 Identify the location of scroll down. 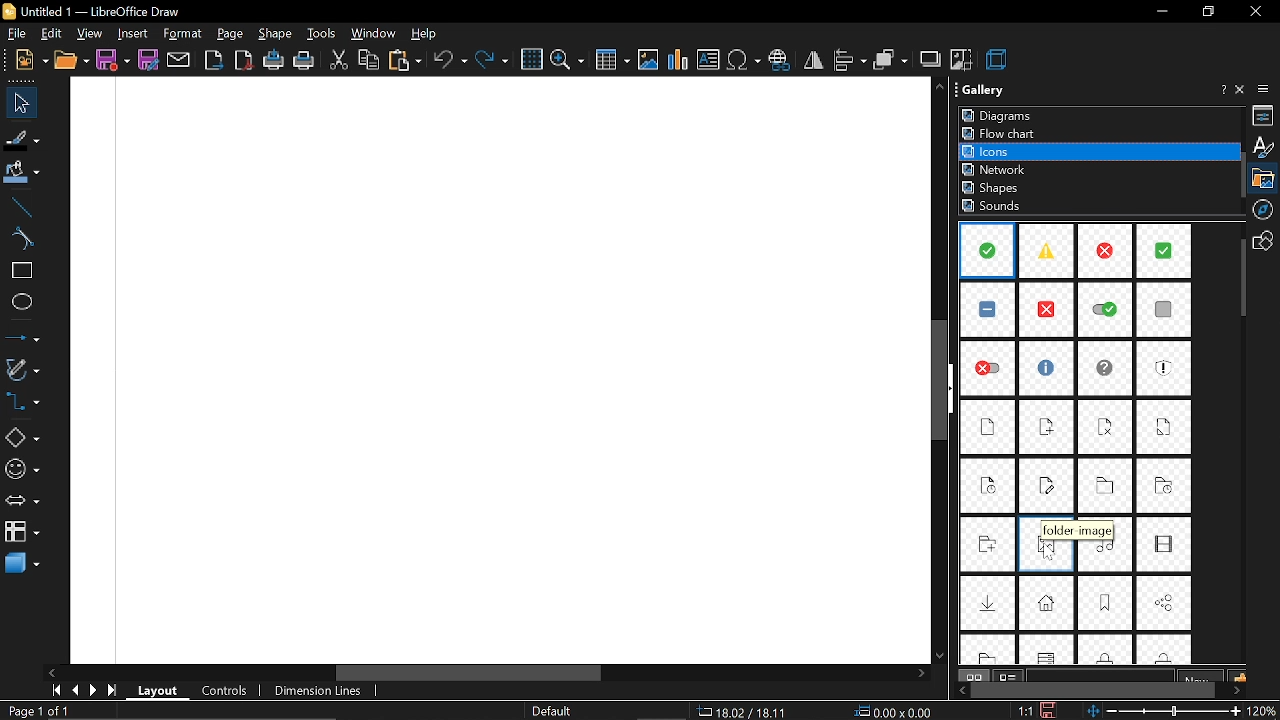
(942, 651).